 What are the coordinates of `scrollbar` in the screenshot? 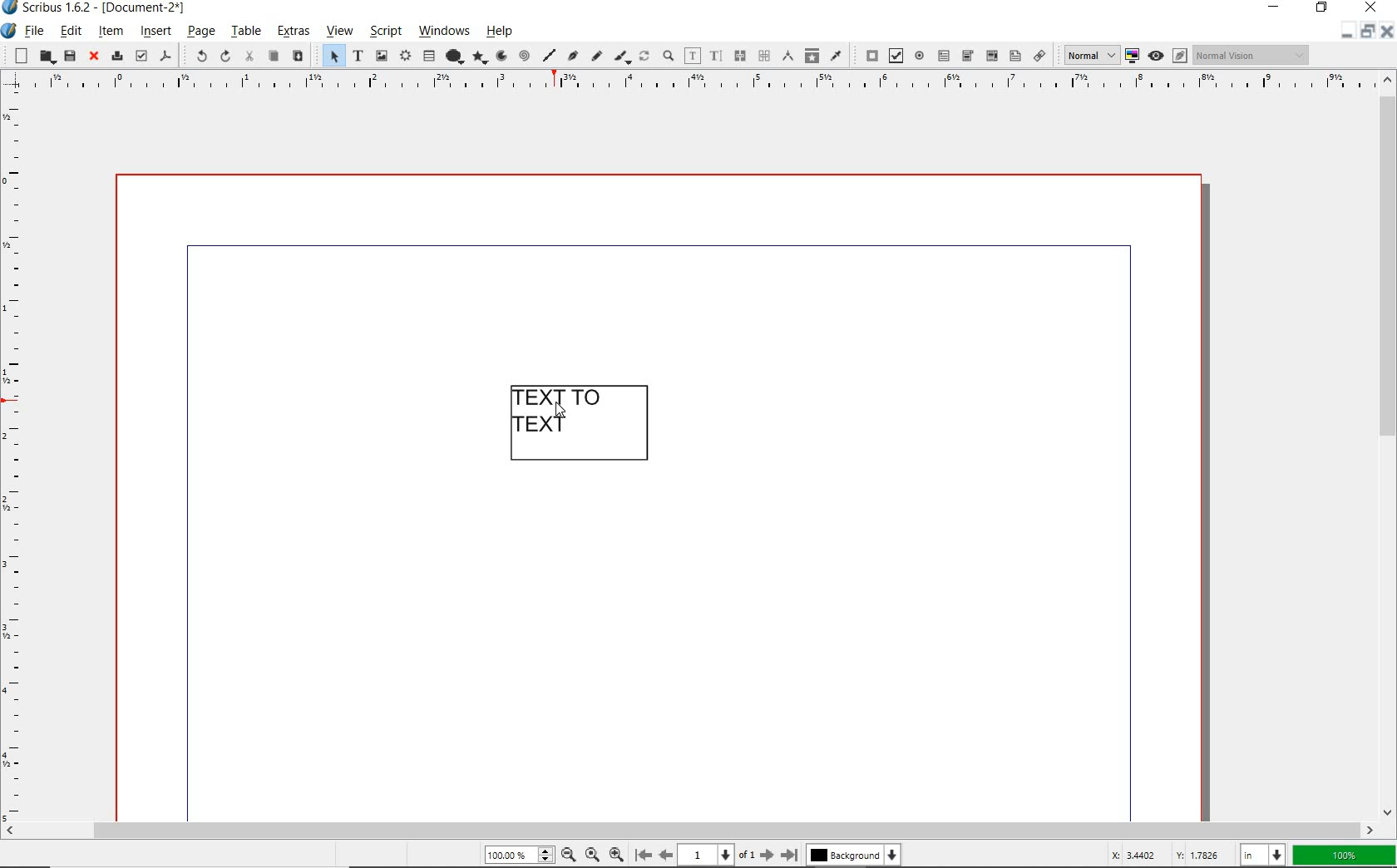 It's located at (689, 831).